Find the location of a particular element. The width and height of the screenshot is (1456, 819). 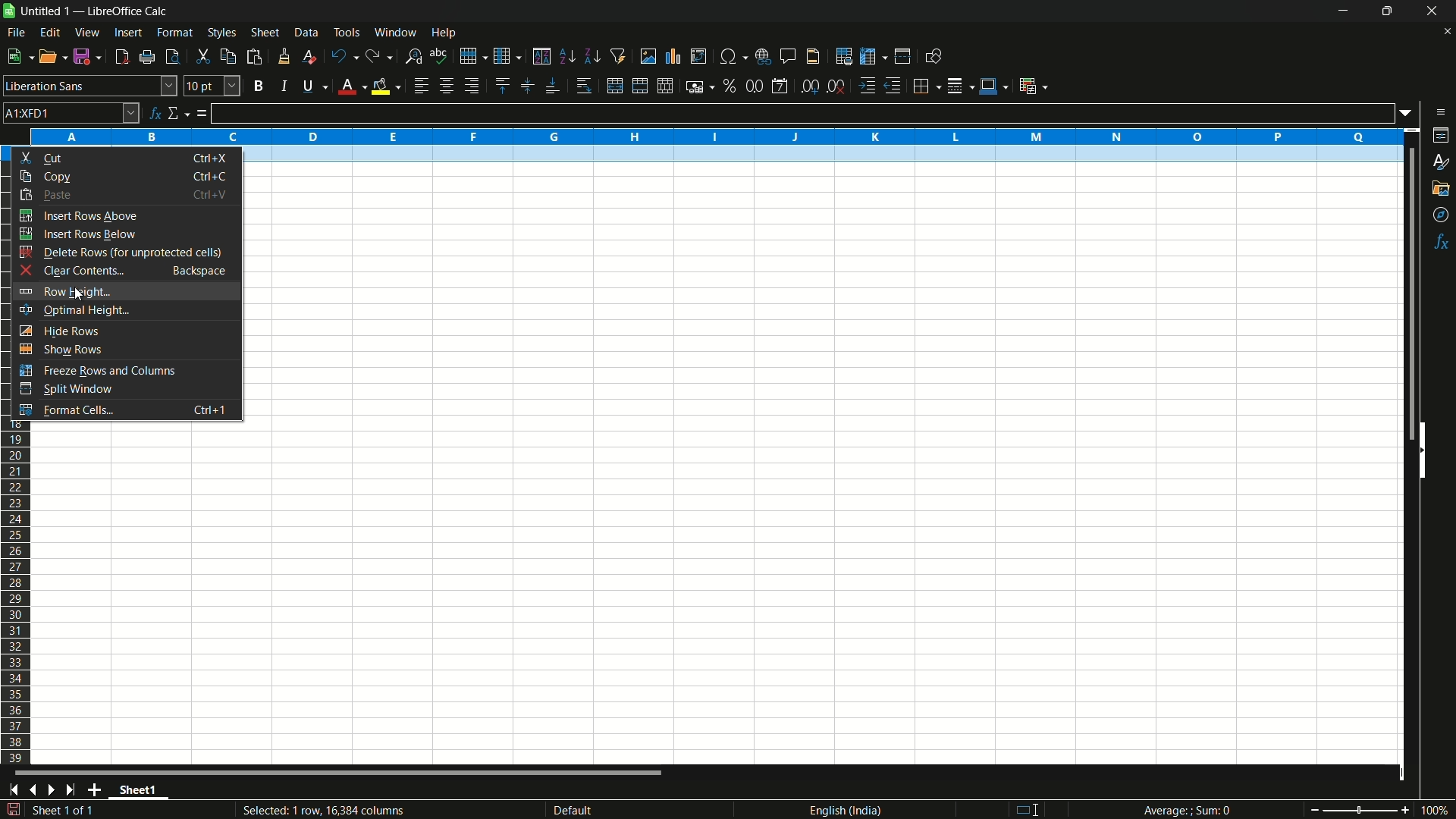

window menu is located at coordinates (395, 32).